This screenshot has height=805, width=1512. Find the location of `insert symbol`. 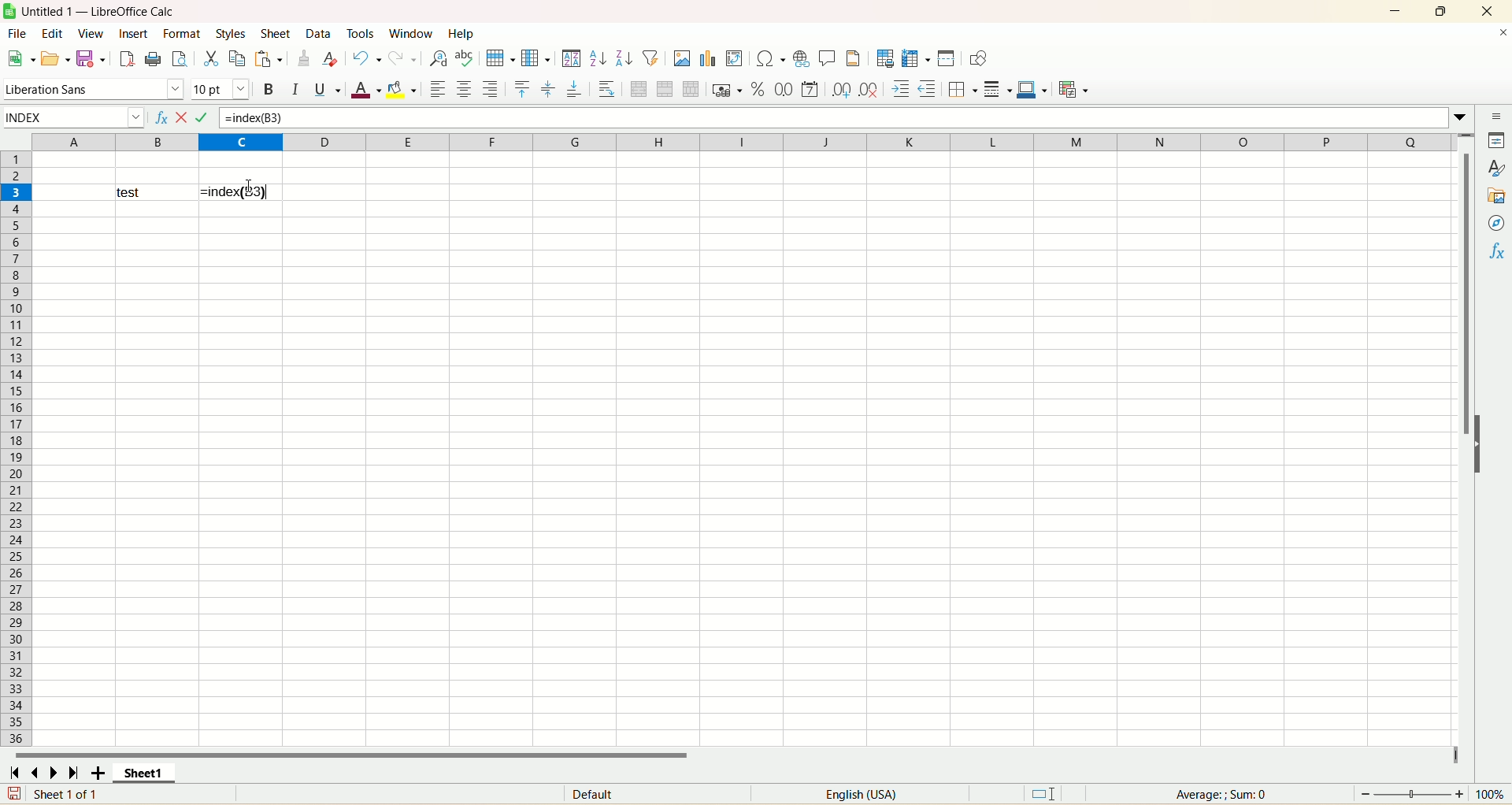

insert symbol is located at coordinates (769, 59).